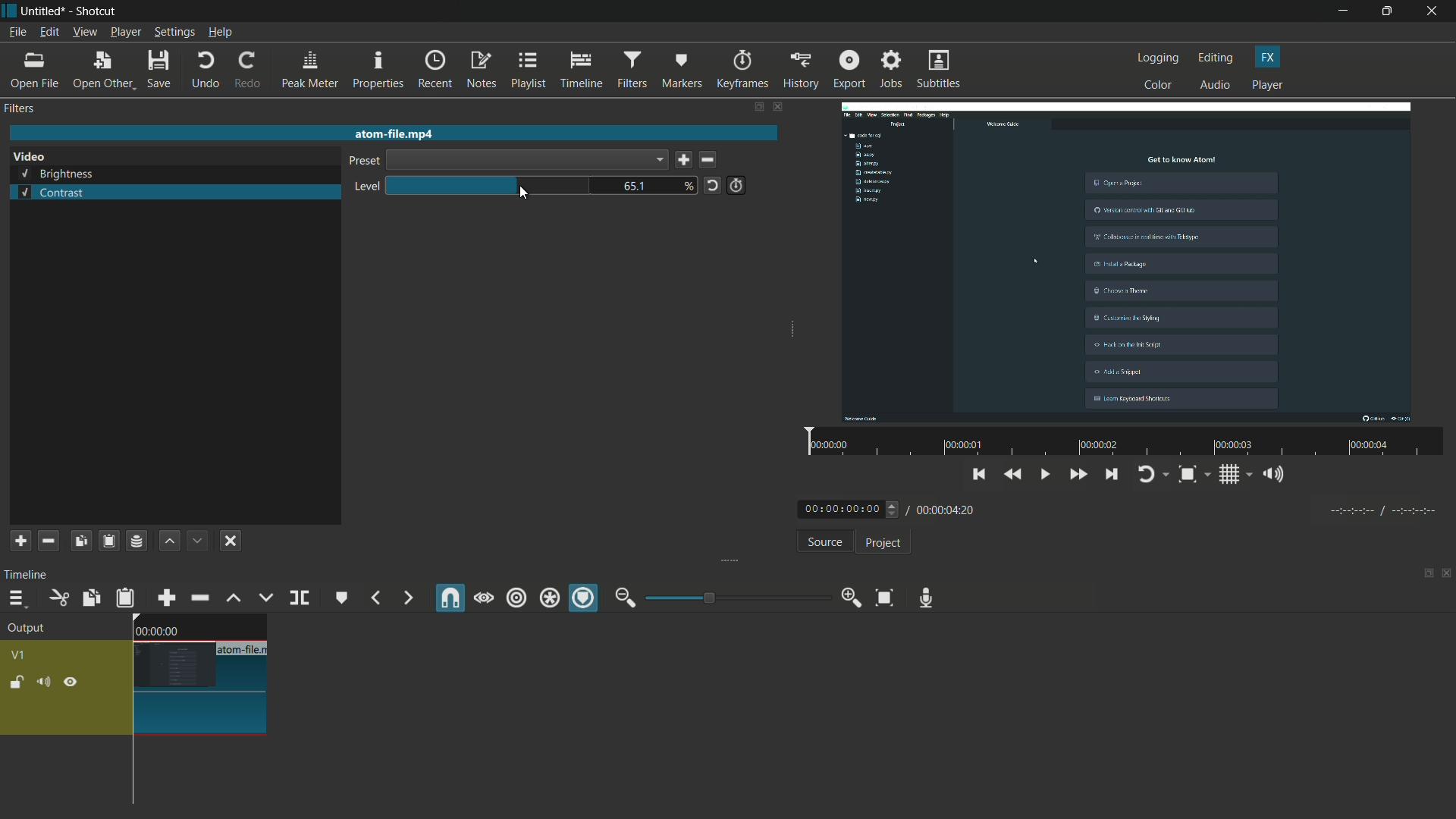 This screenshot has height=819, width=1456. Describe the element at coordinates (169, 541) in the screenshot. I see `move filter up` at that location.